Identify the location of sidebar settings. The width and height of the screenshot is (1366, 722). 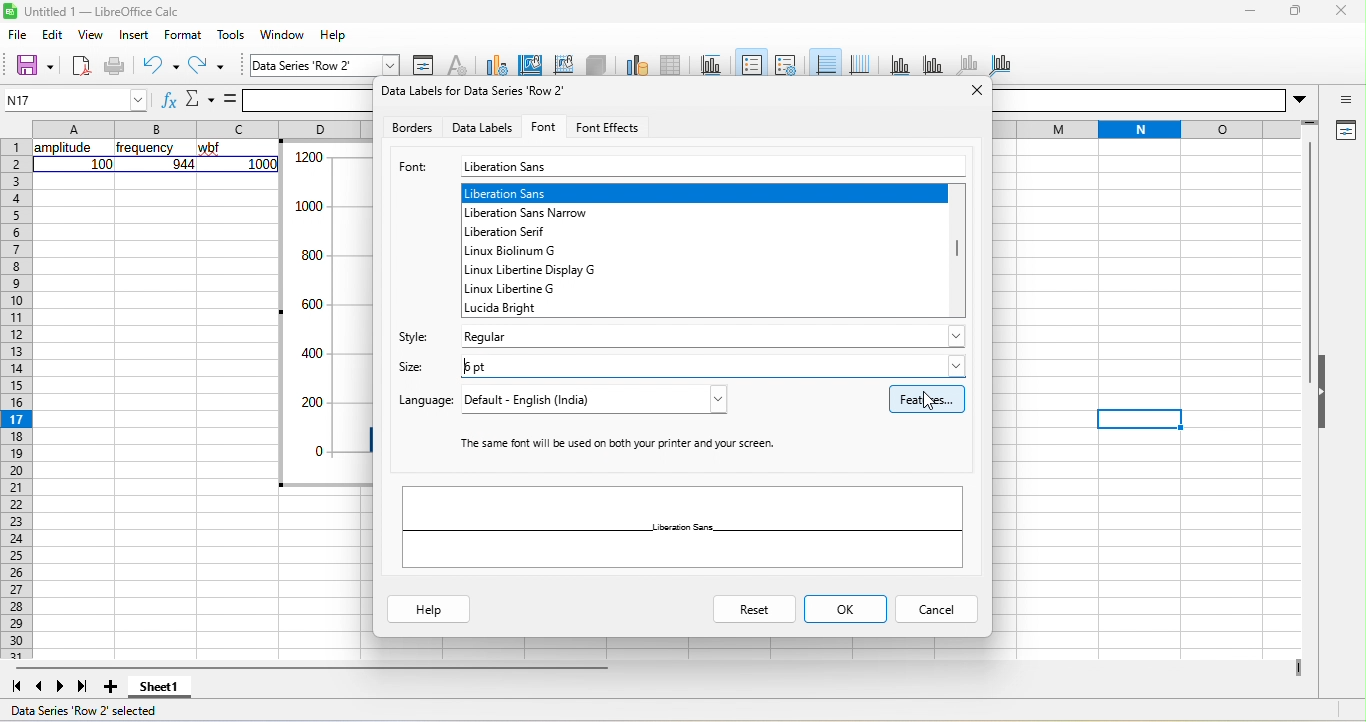
(1343, 96).